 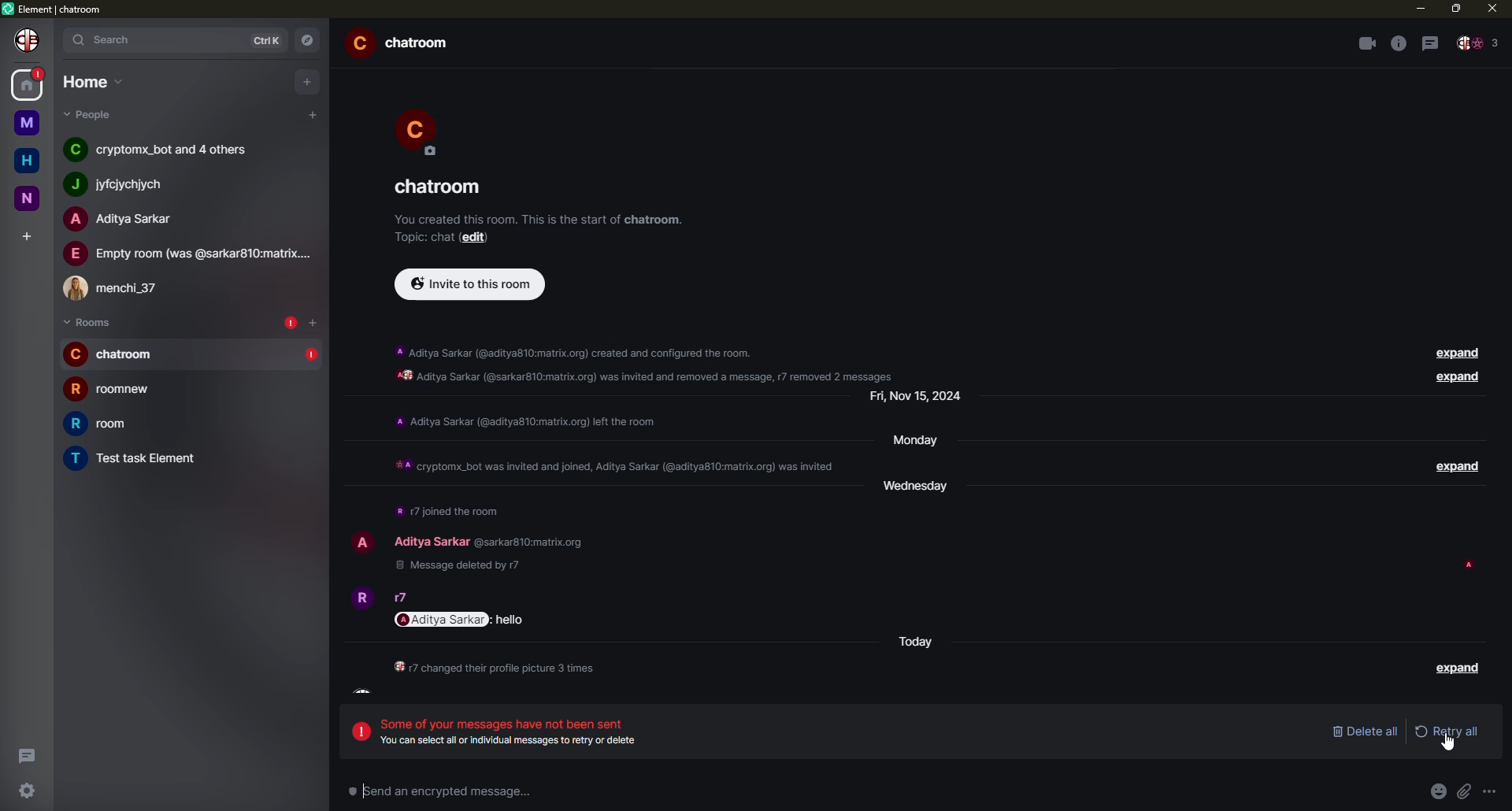 What do you see at coordinates (166, 150) in the screenshot?
I see `people` at bounding box center [166, 150].